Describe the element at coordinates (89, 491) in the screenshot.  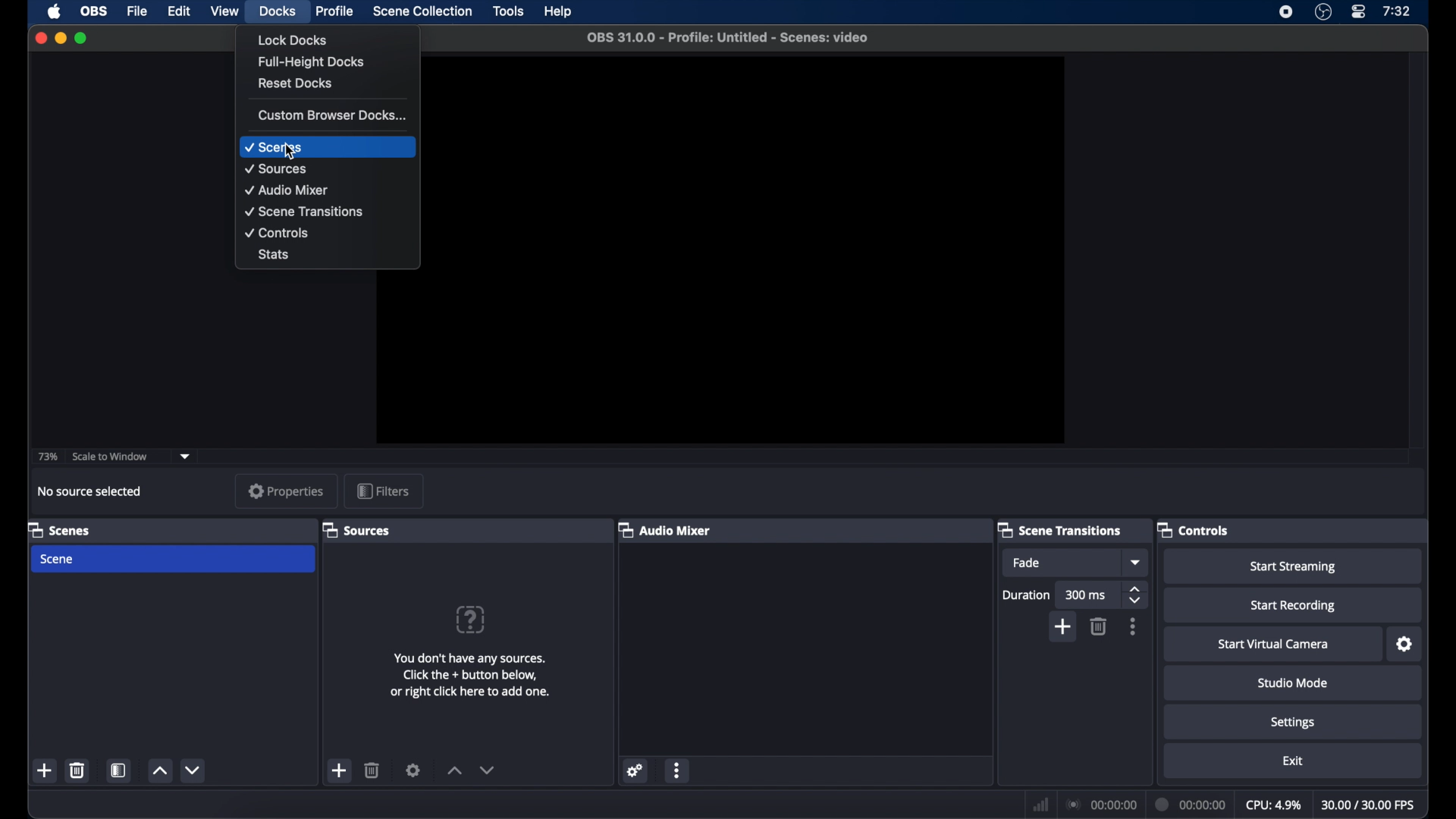
I see `no source selected` at that location.